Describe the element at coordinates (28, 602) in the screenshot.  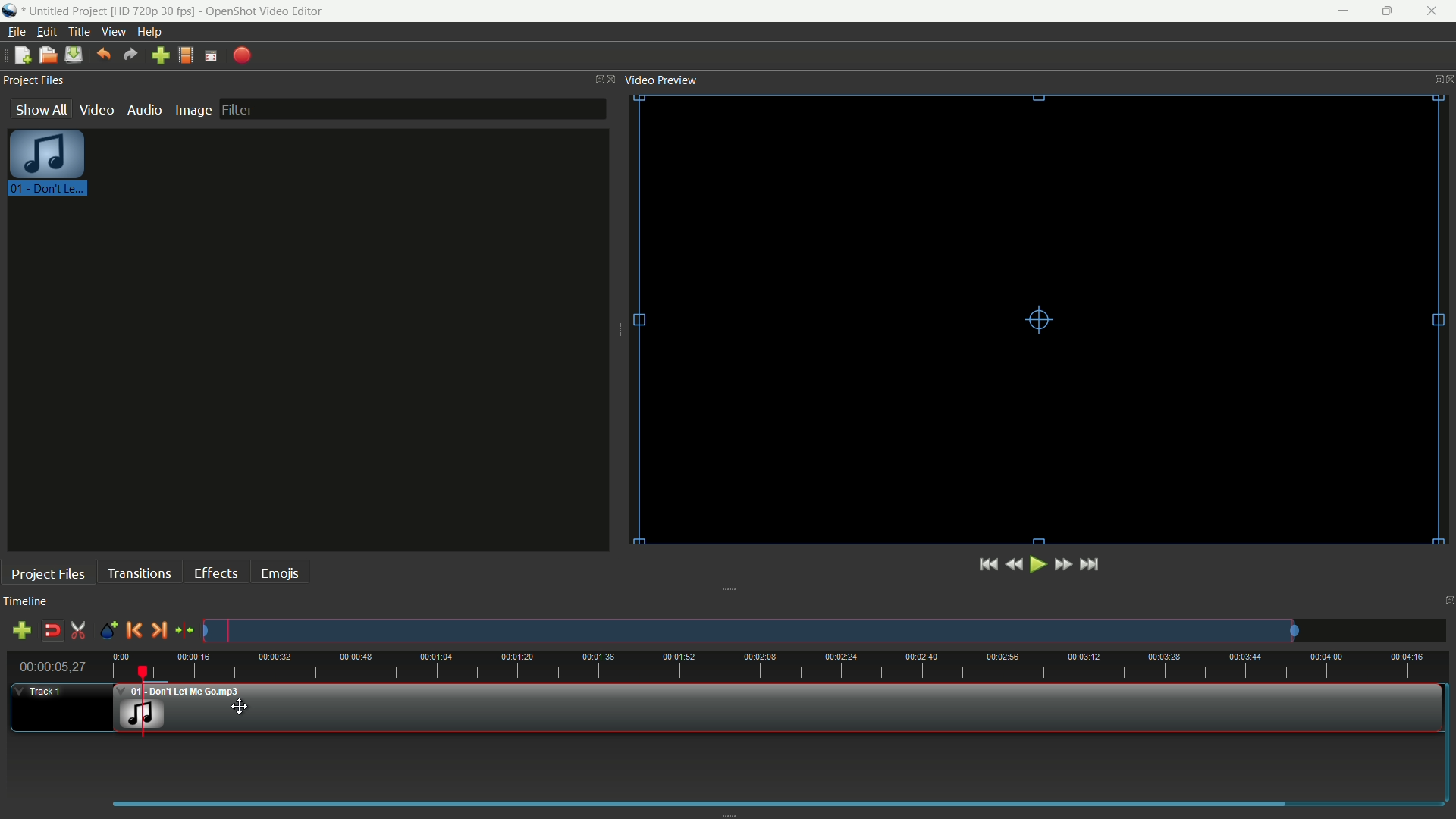
I see `timeline` at that location.